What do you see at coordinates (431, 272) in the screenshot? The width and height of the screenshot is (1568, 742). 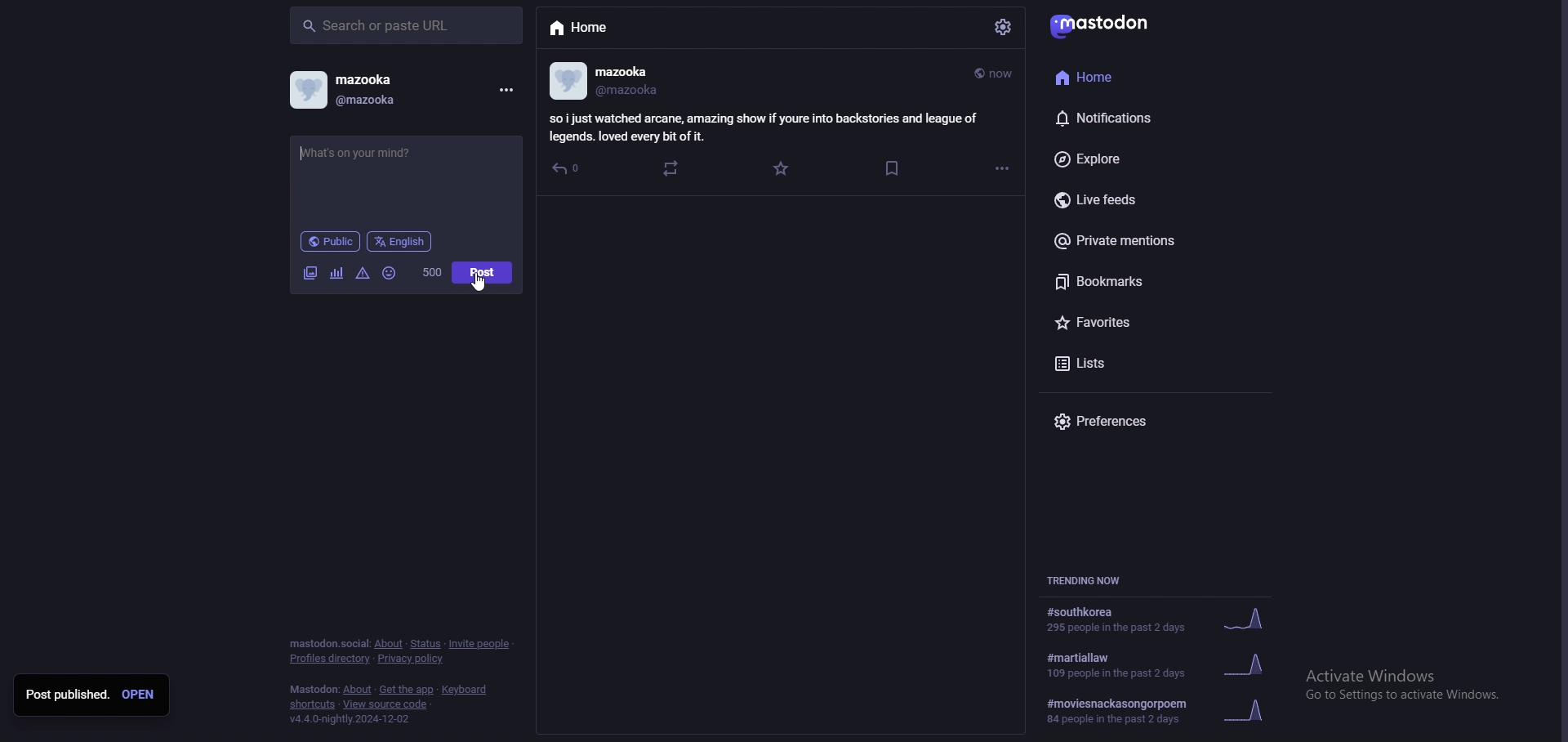 I see `word limit` at bounding box center [431, 272].